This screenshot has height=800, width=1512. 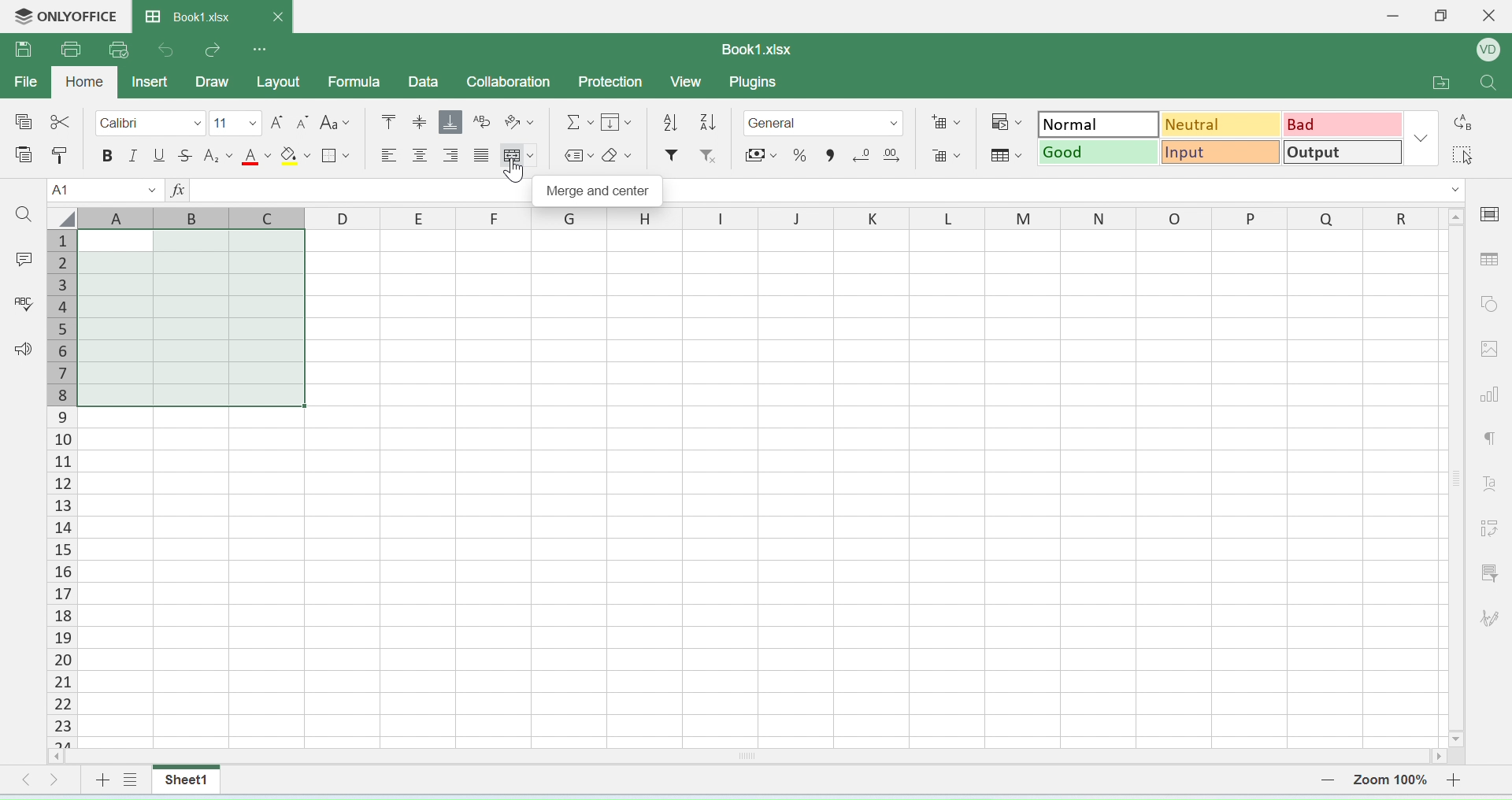 What do you see at coordinates (511, 83) in the screenshot?
I see `collaboration` at bounding box center [511, 83].